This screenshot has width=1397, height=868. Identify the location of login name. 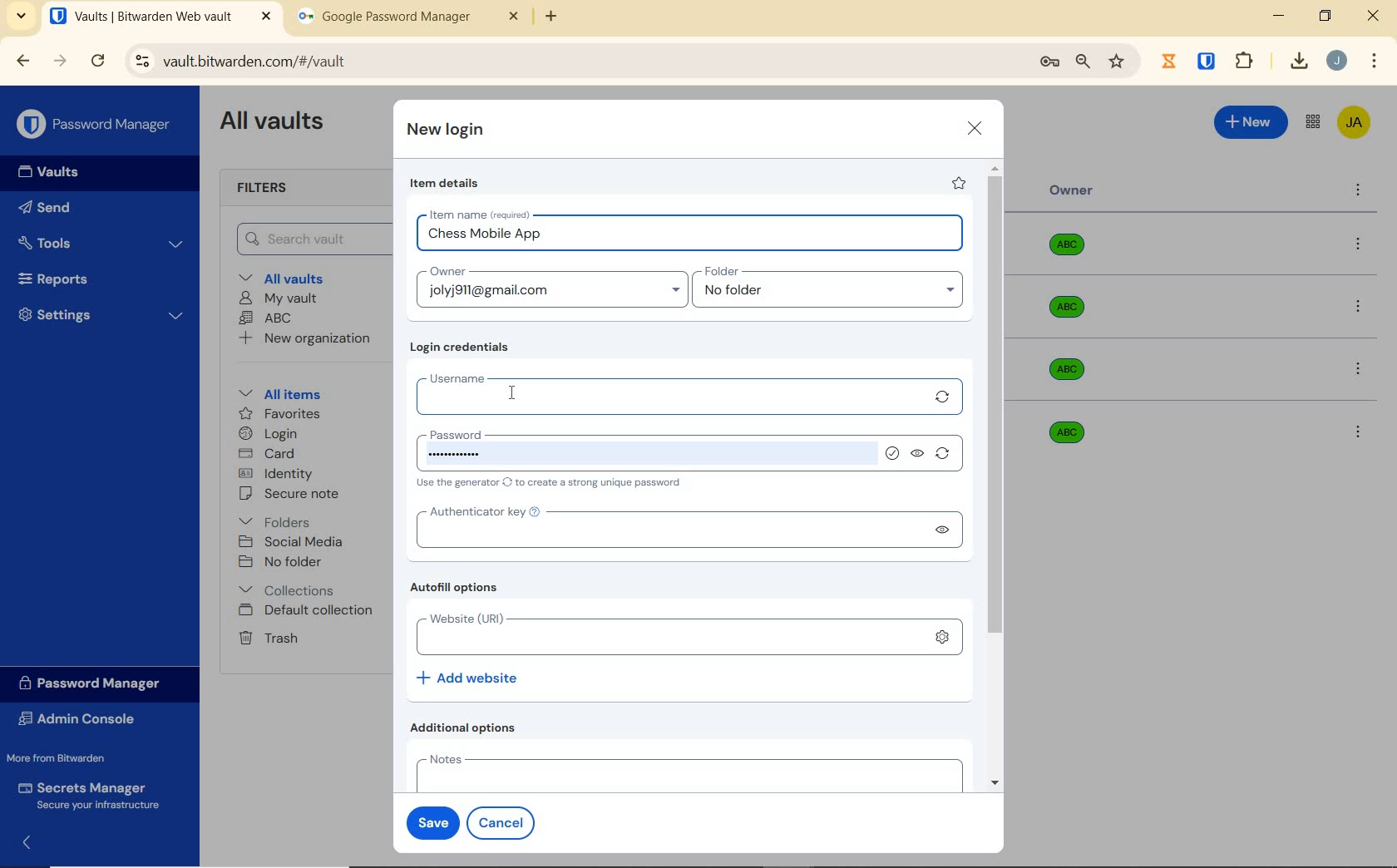
(691, 238).